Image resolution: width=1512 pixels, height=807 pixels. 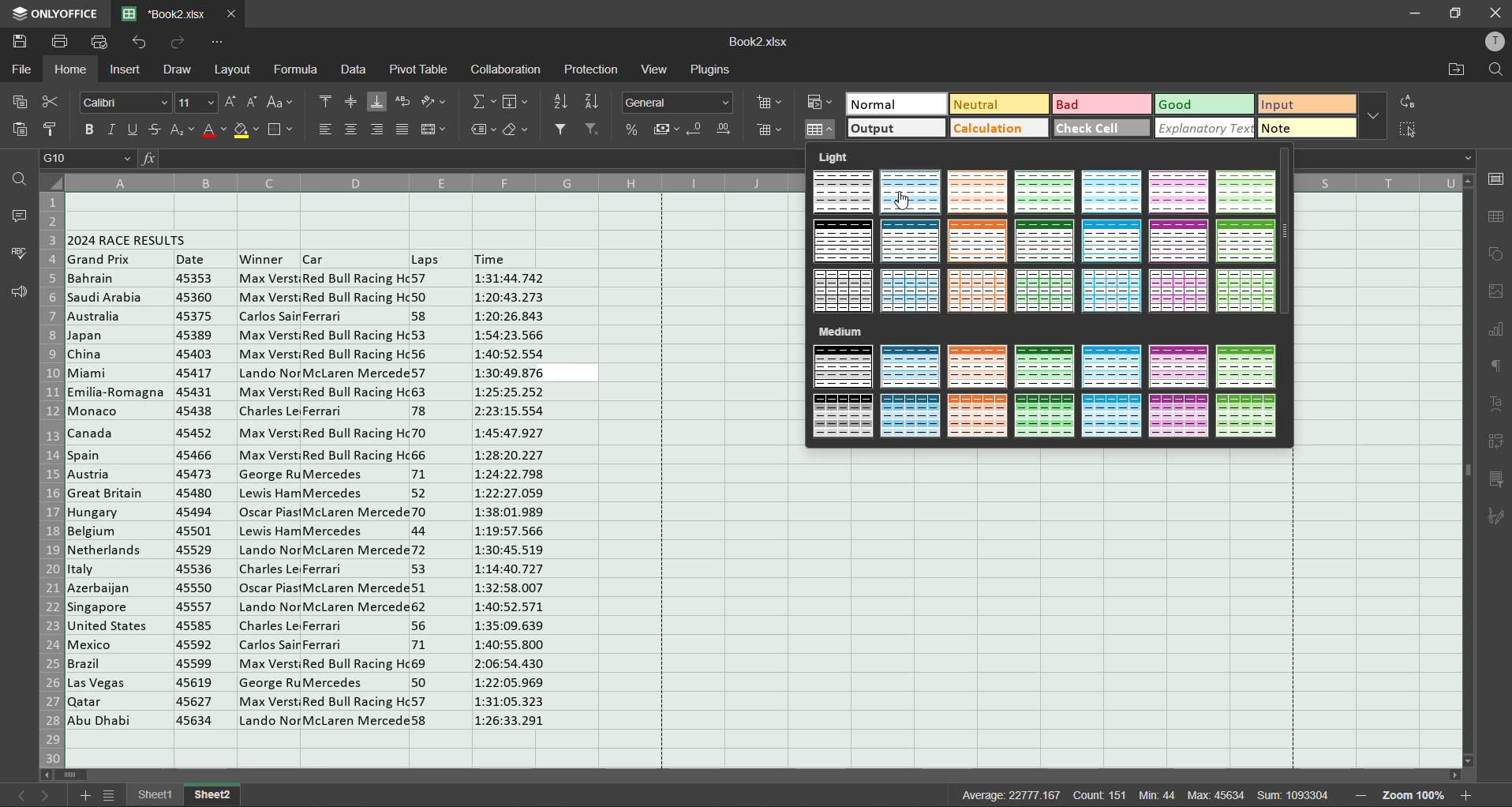 What do you see at coordinates (319, 259) in the screenshot?
I see `` at bounding box center [319, 259].